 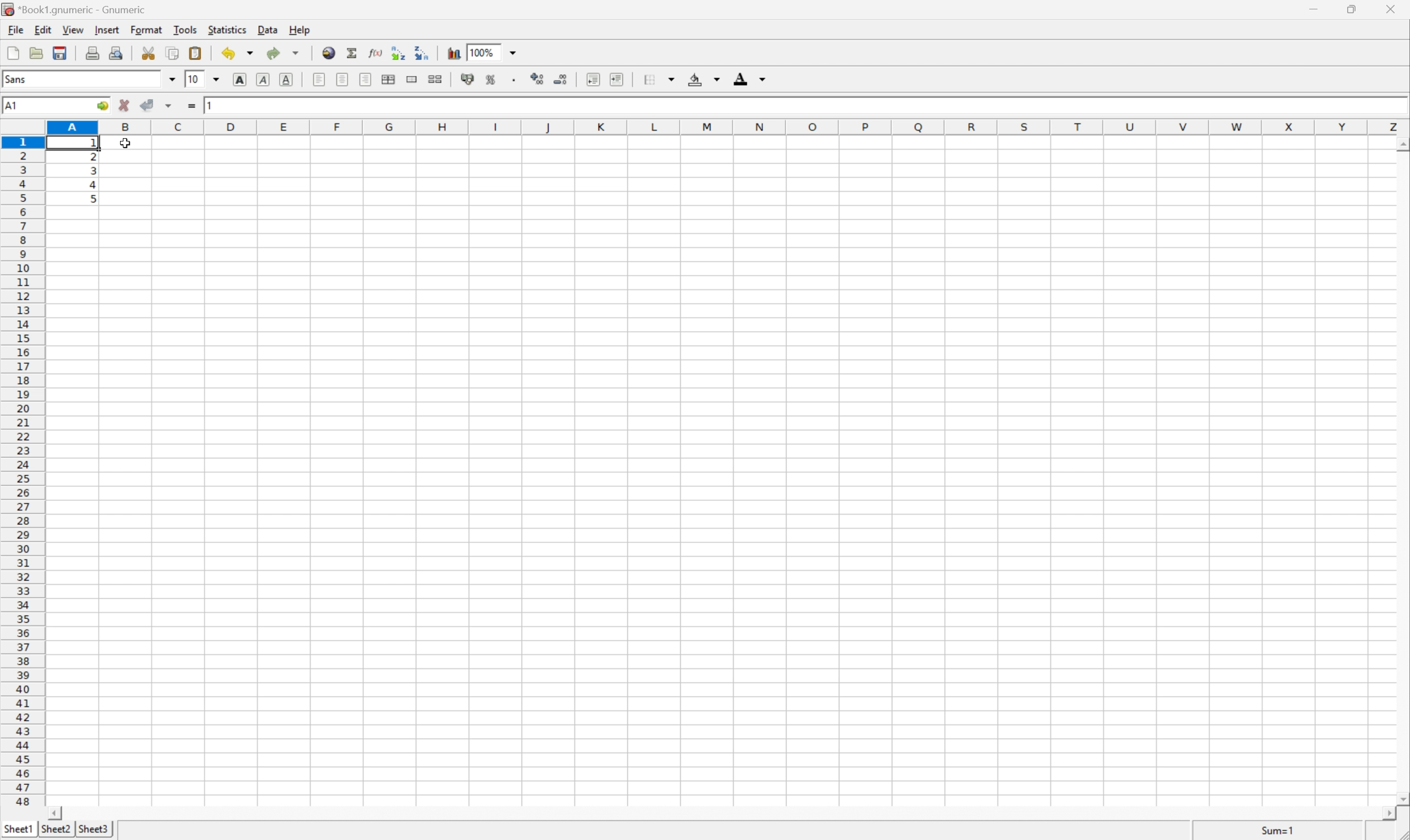 I want to click on Sheet1, so click(x=18, y=829).